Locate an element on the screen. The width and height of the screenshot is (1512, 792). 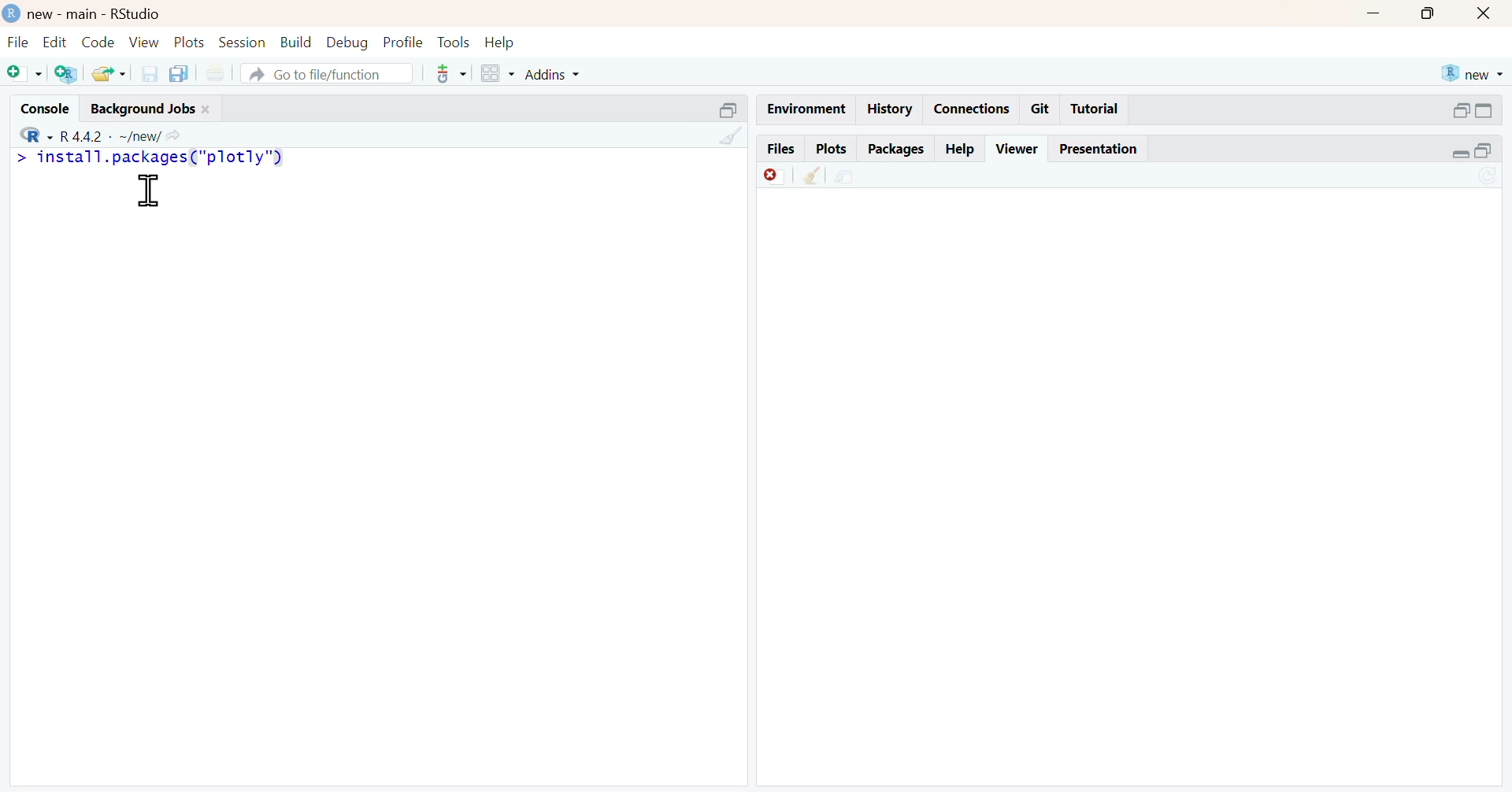
plots is located at coordinates (831, 148).